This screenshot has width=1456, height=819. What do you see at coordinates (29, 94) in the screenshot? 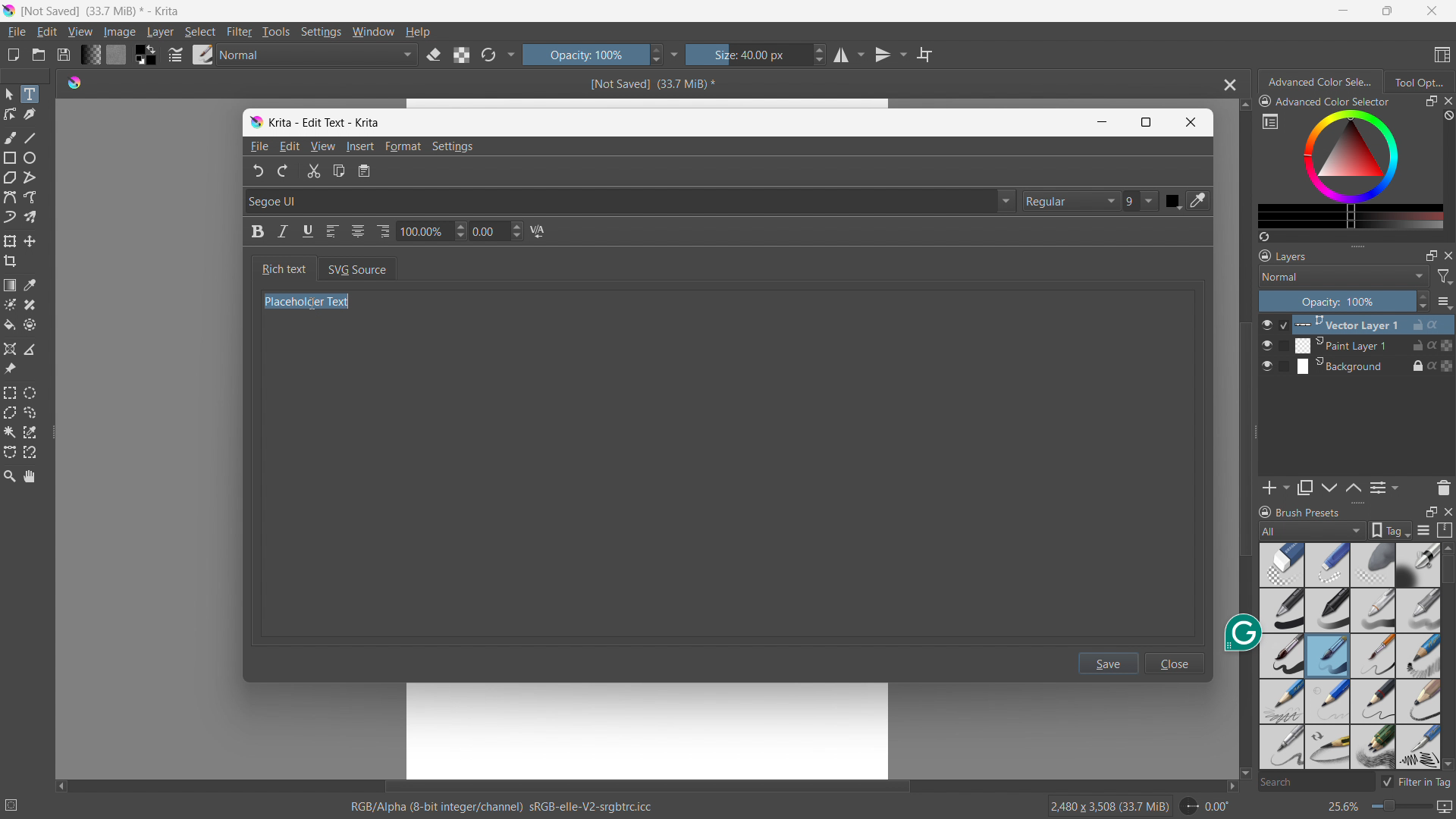
I see `text tool selected` at bounding box center [29, 94].